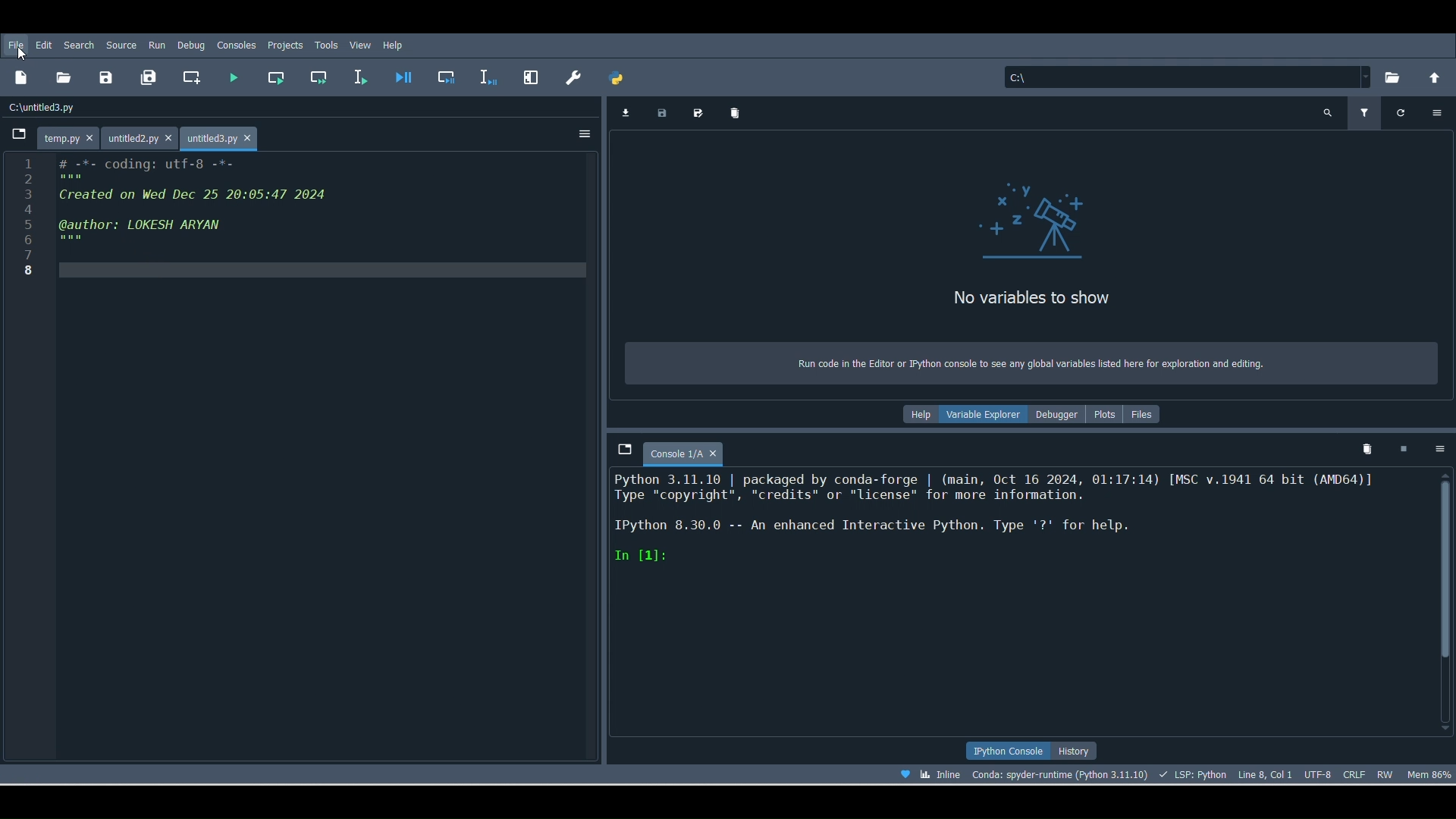 The height and width of the screenshot is (819, 1456). I want to click on Files, so click(1150, 413).